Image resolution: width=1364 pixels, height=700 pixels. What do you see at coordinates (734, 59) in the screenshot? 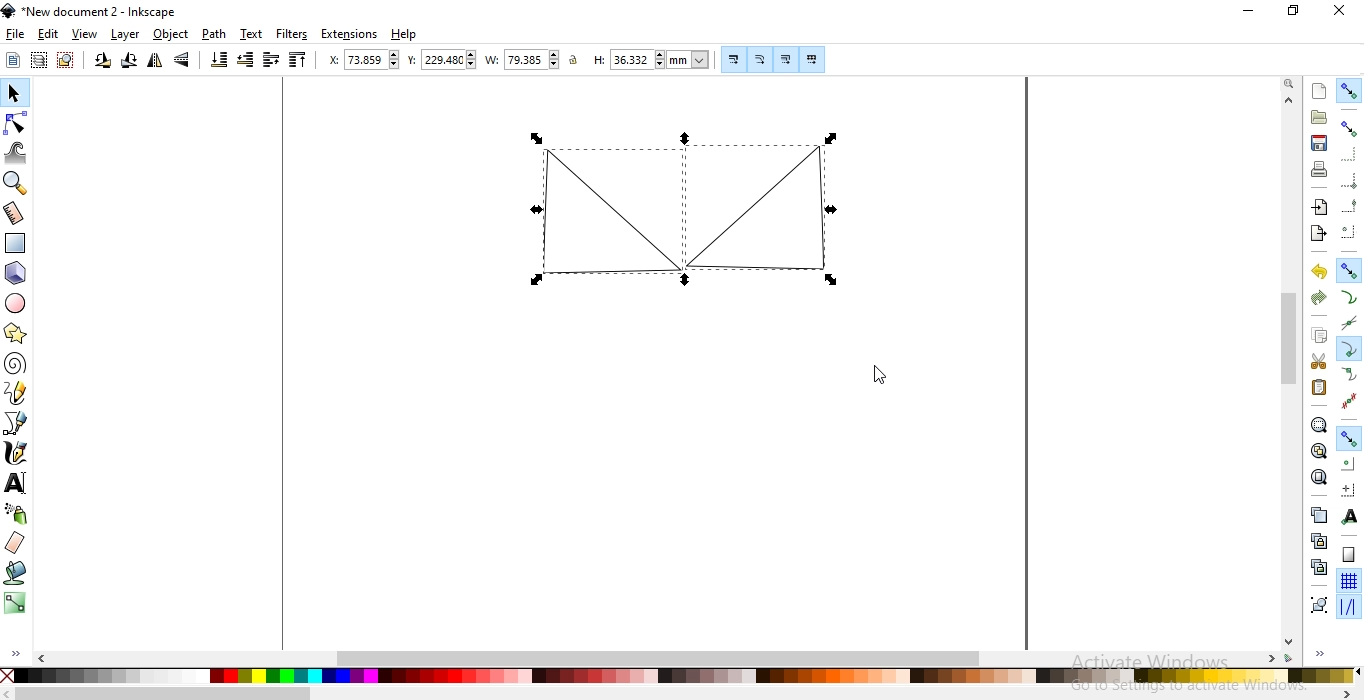
I see `scale stroke width by same proportion` at bounding box center [734, 59].